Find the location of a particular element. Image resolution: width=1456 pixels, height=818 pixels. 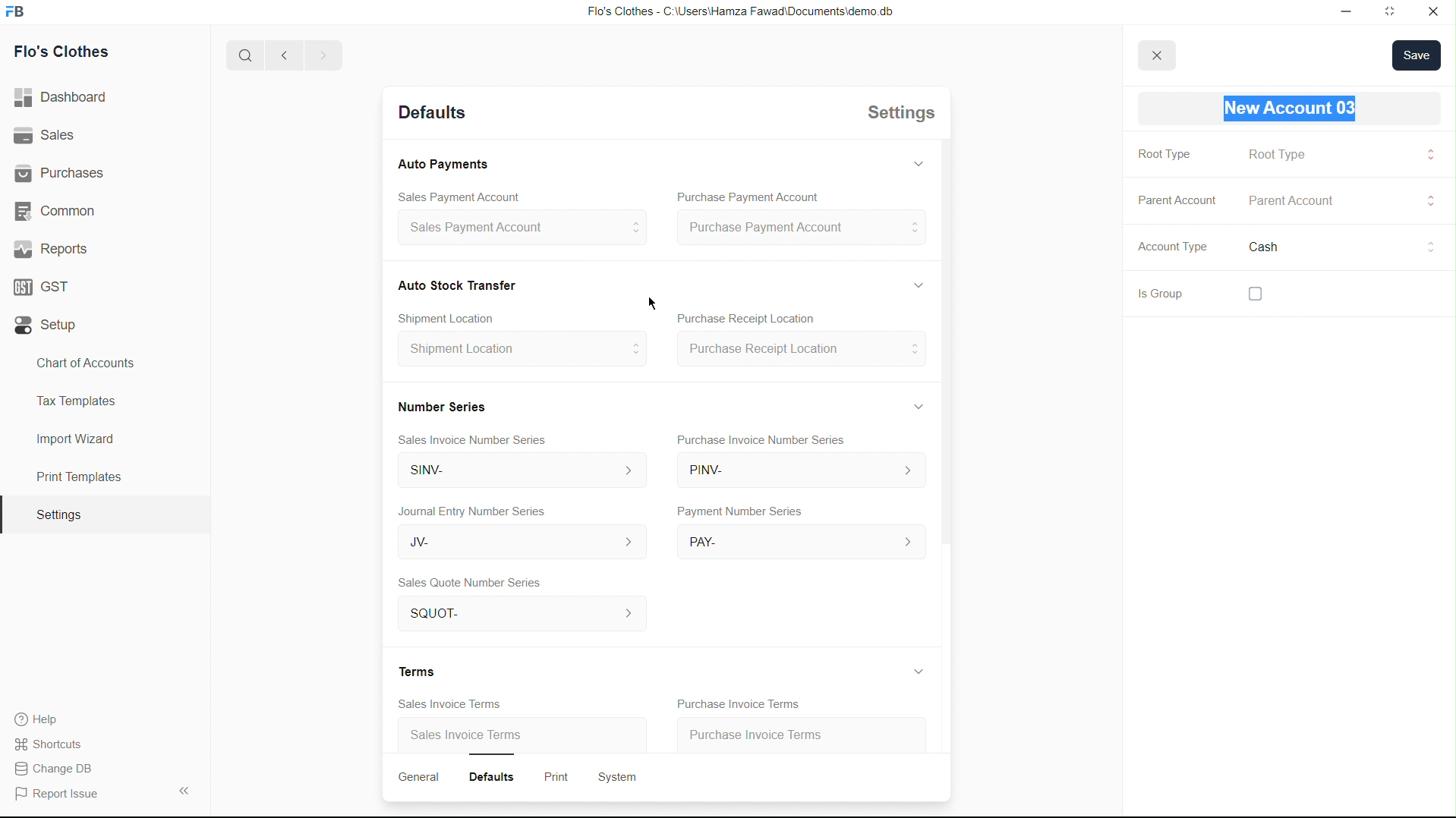

Parent Account is located at coordinates (1175, 199).